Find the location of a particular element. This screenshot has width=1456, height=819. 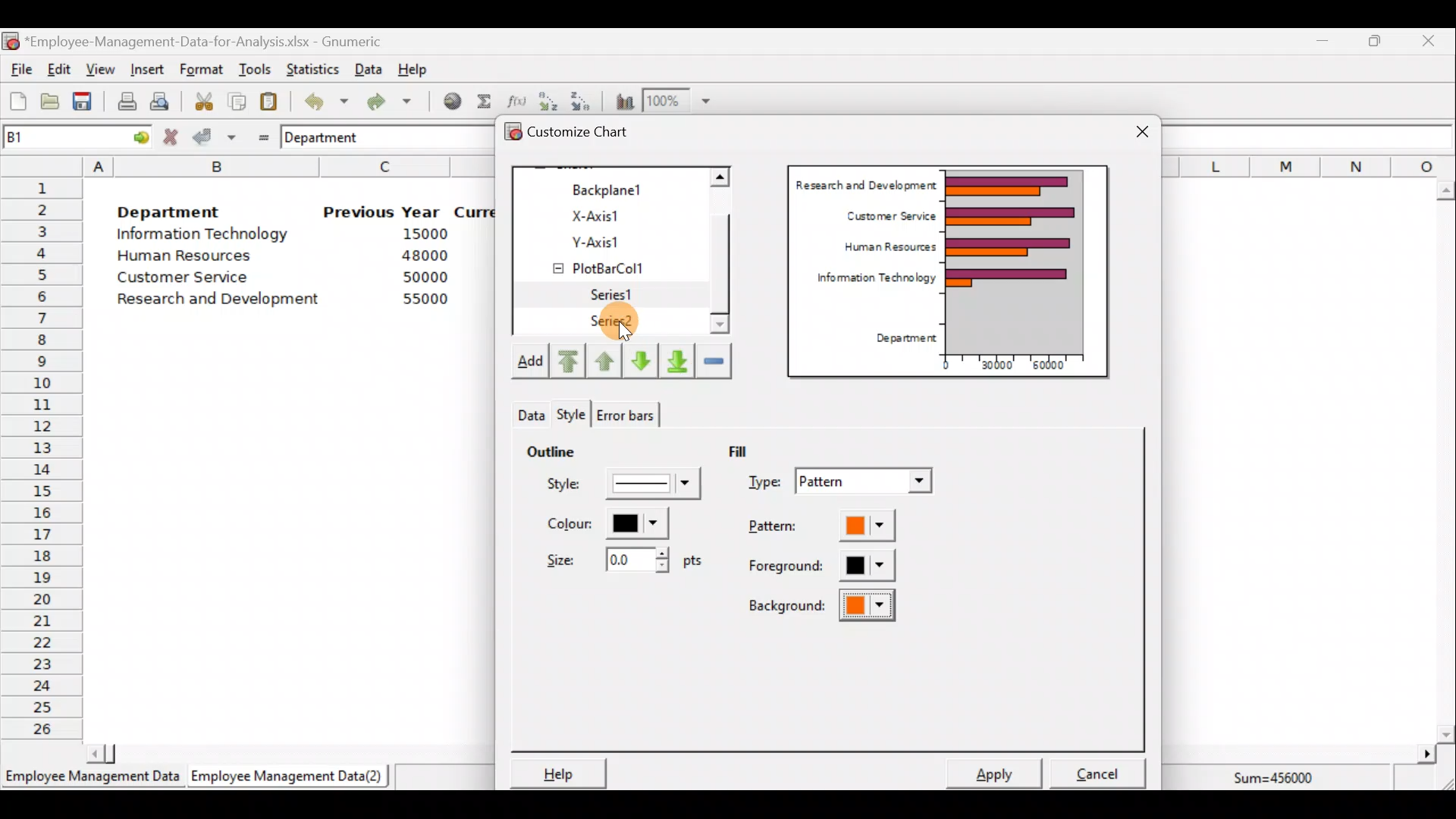

Copy the selection is located at coordinates (236, 99).